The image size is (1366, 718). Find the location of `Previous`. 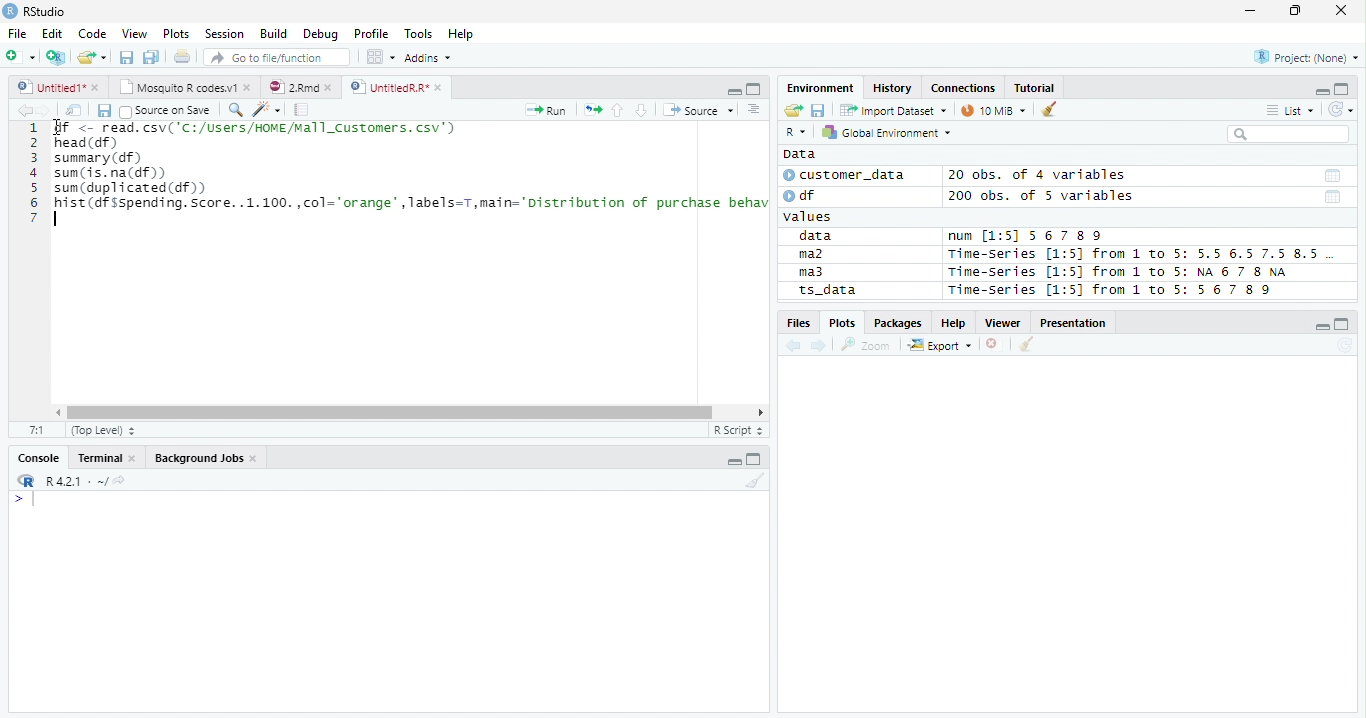

Previous is located at coordinates (22, 110).